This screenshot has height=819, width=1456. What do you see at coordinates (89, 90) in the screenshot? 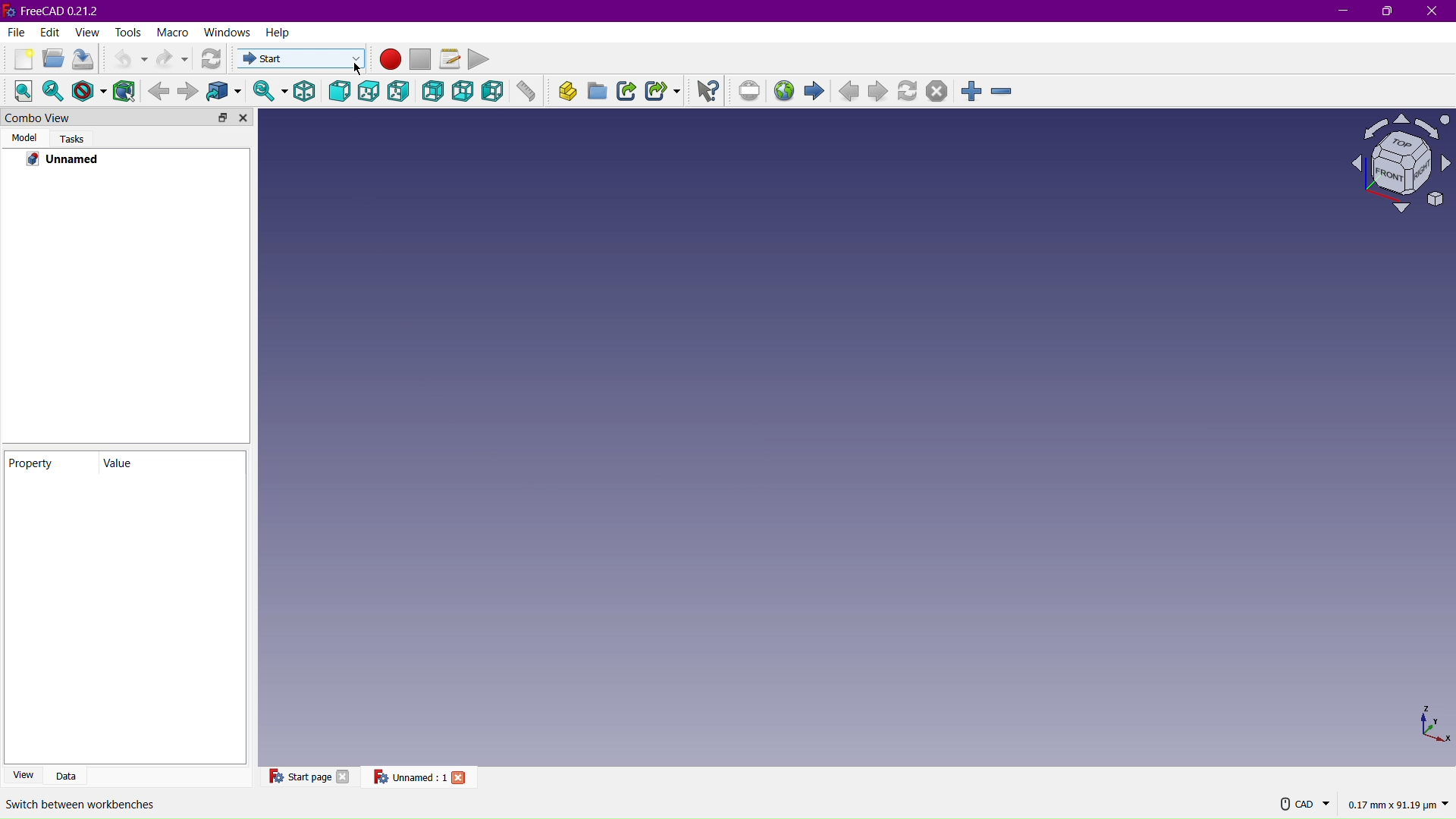
I see `Draw Style` at bounding box center [89, 90].